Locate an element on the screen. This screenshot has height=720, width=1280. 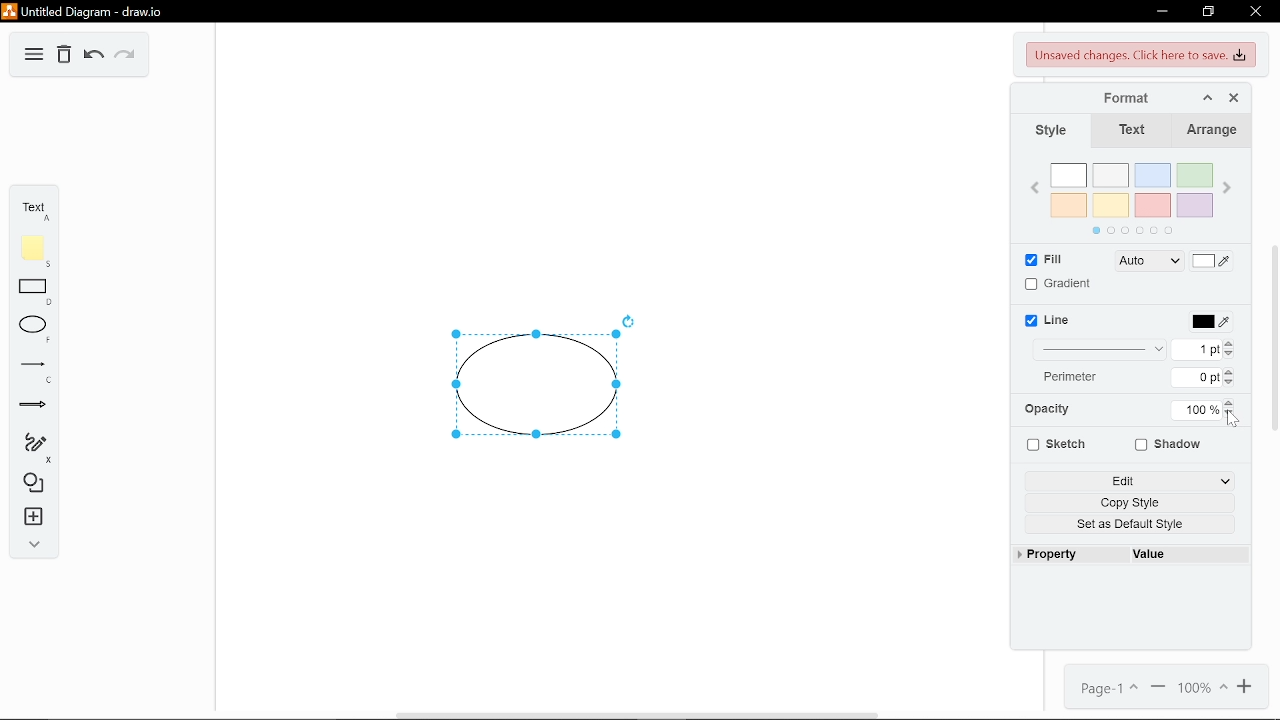
Current opacity is located at coordinates (1197, 409).